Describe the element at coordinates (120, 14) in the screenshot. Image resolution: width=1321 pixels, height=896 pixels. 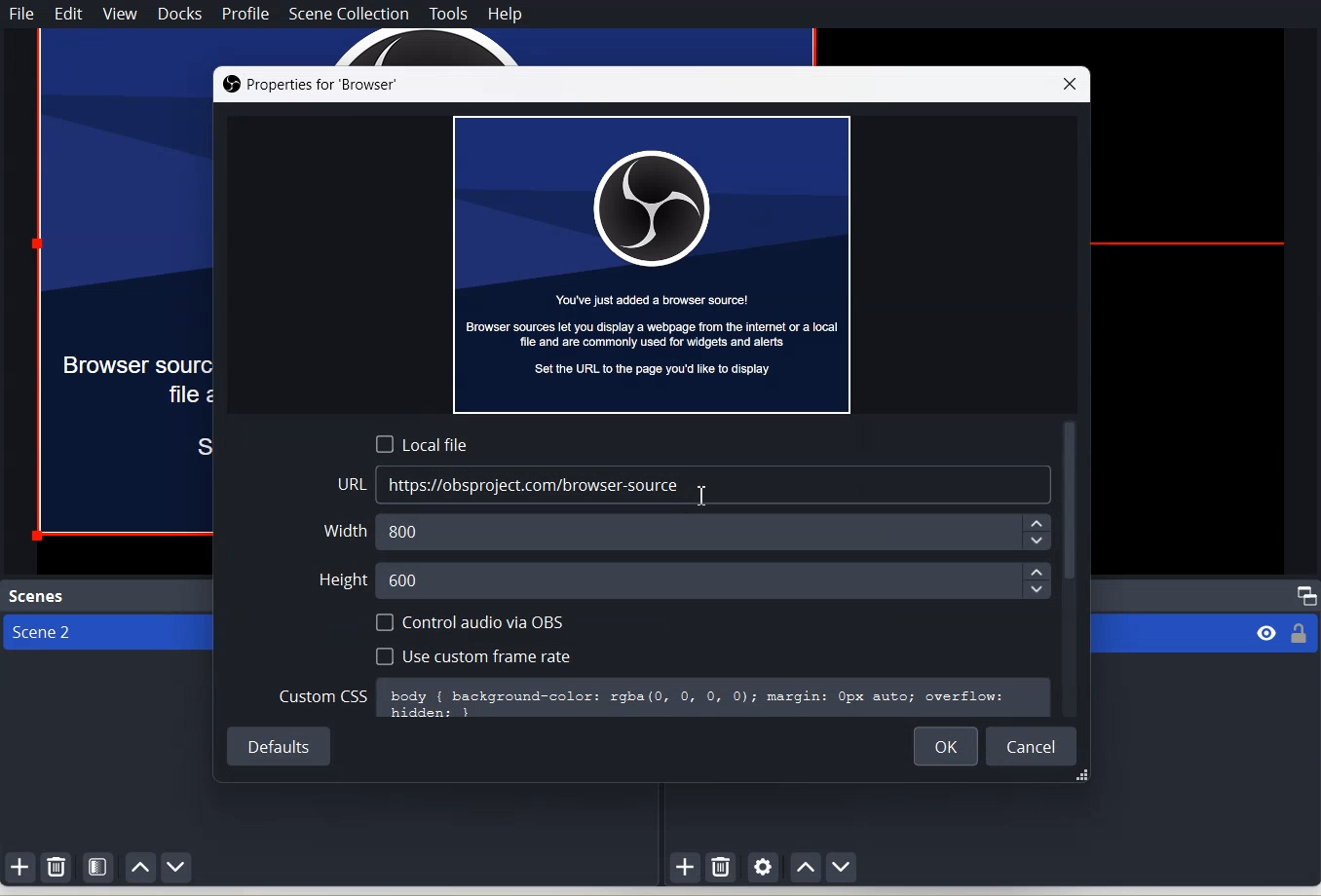
I see `View` at that location.